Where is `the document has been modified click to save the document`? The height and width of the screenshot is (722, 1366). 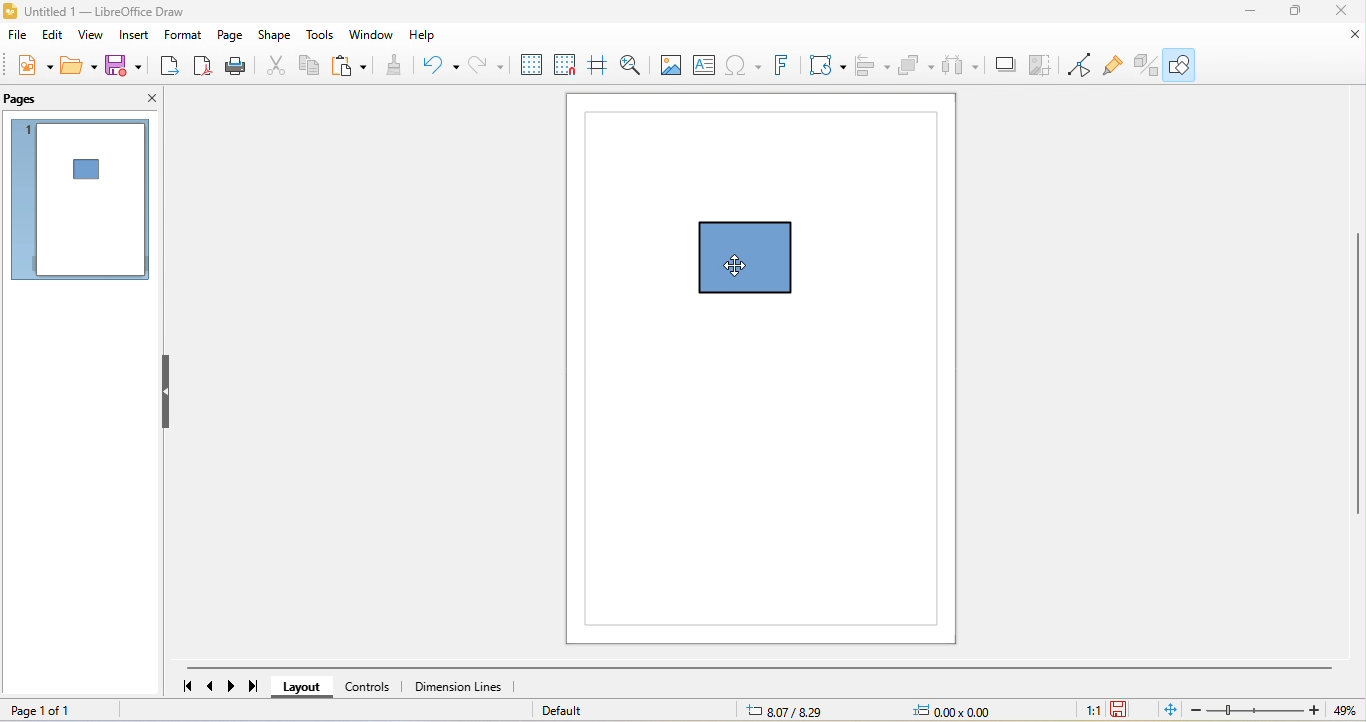
the document has been modified click to save the document is located at coordinates (1123, 710).